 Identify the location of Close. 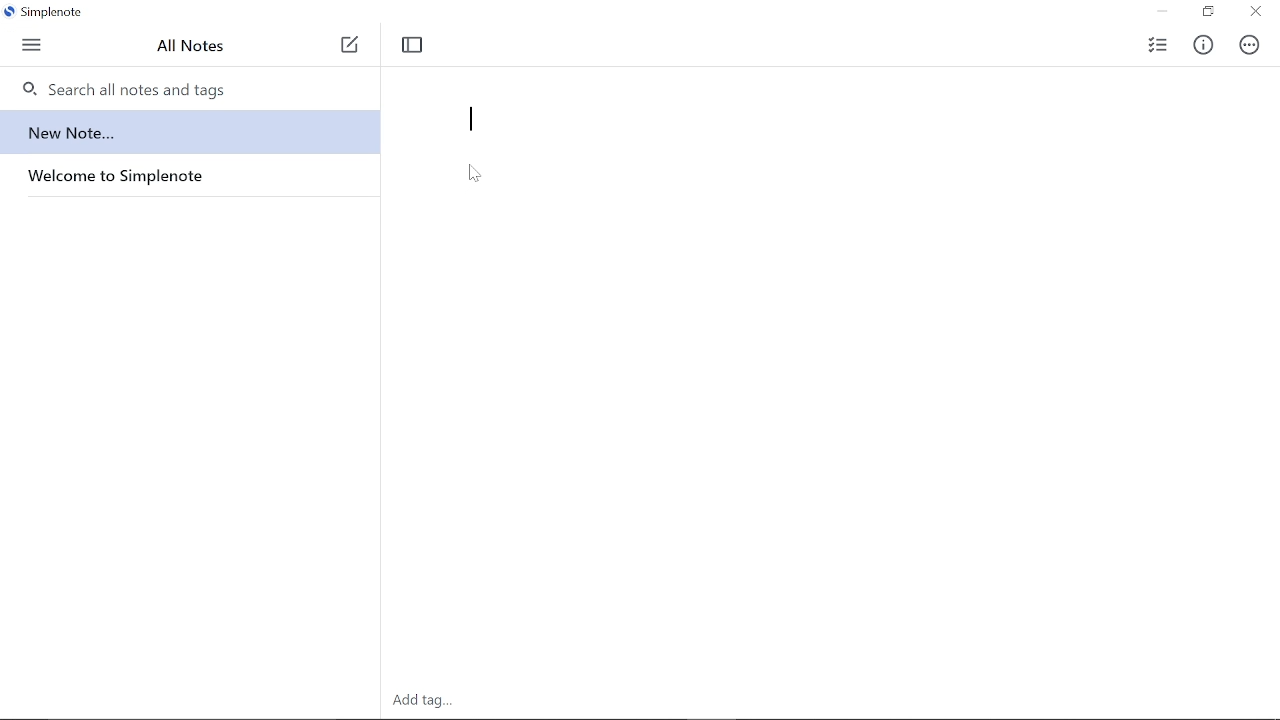
(1254, 12).